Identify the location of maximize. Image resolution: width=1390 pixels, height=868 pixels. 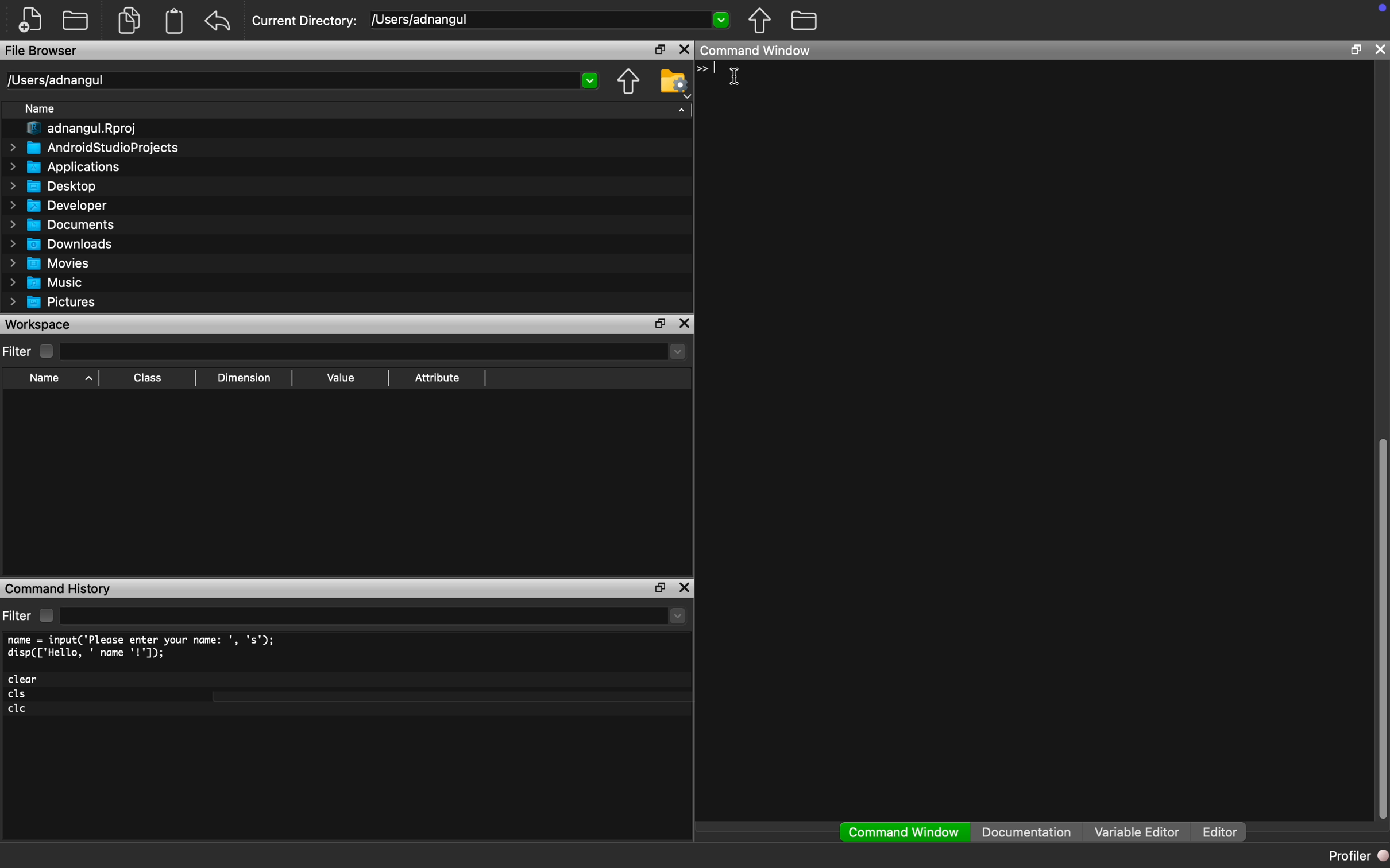
(658, 51).